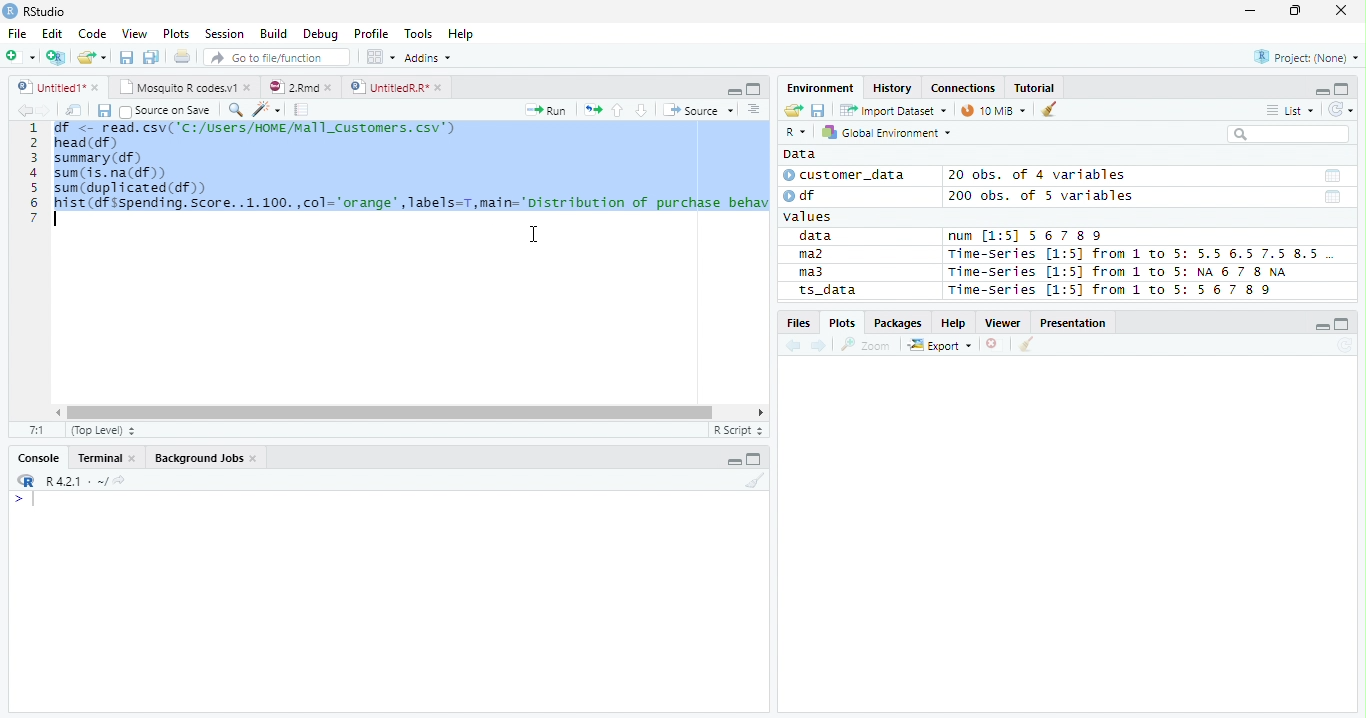  I want to click on Background jobs, so click(206, 460).